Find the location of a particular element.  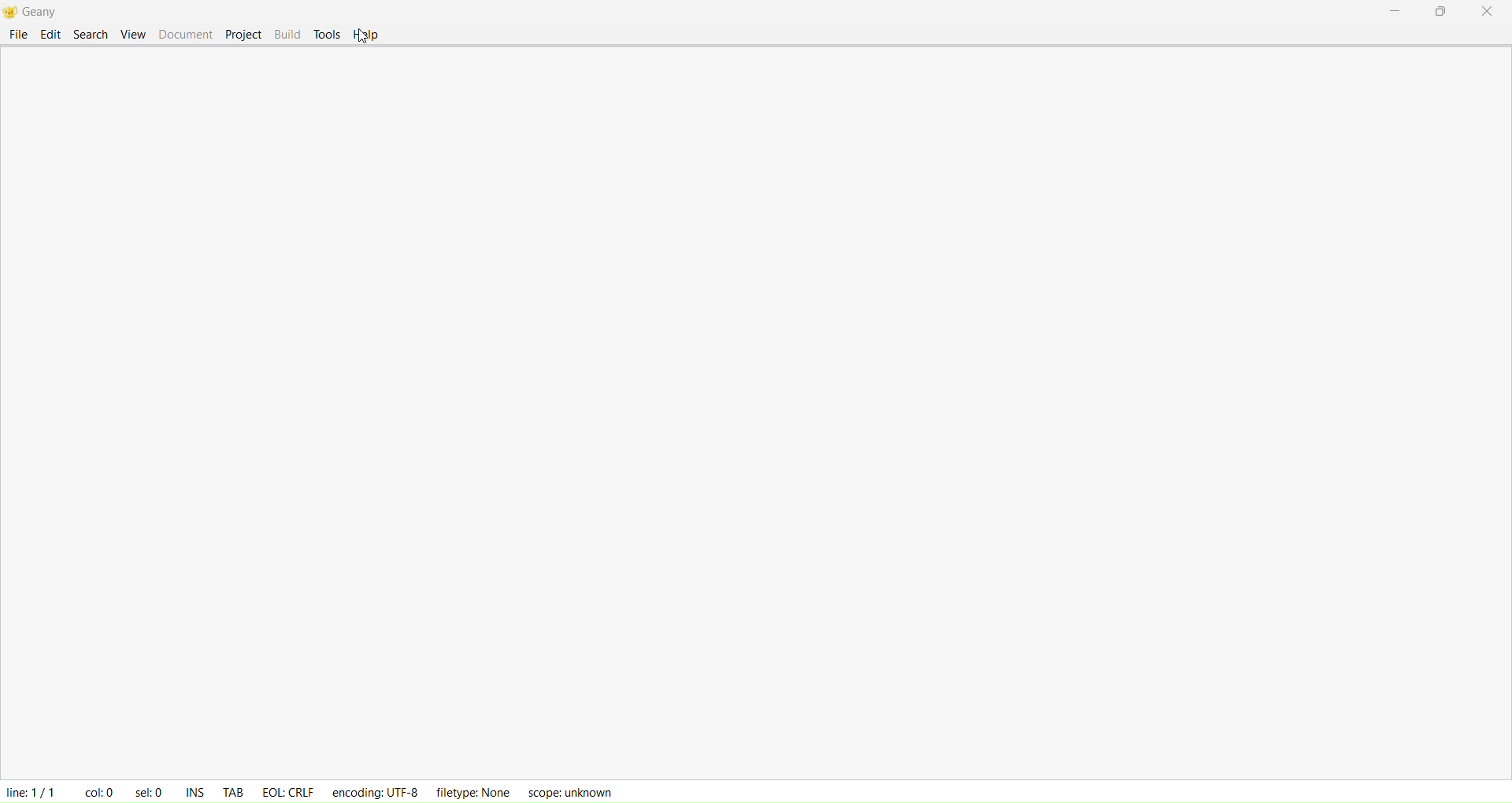

column is located at coordinates (97, 787).